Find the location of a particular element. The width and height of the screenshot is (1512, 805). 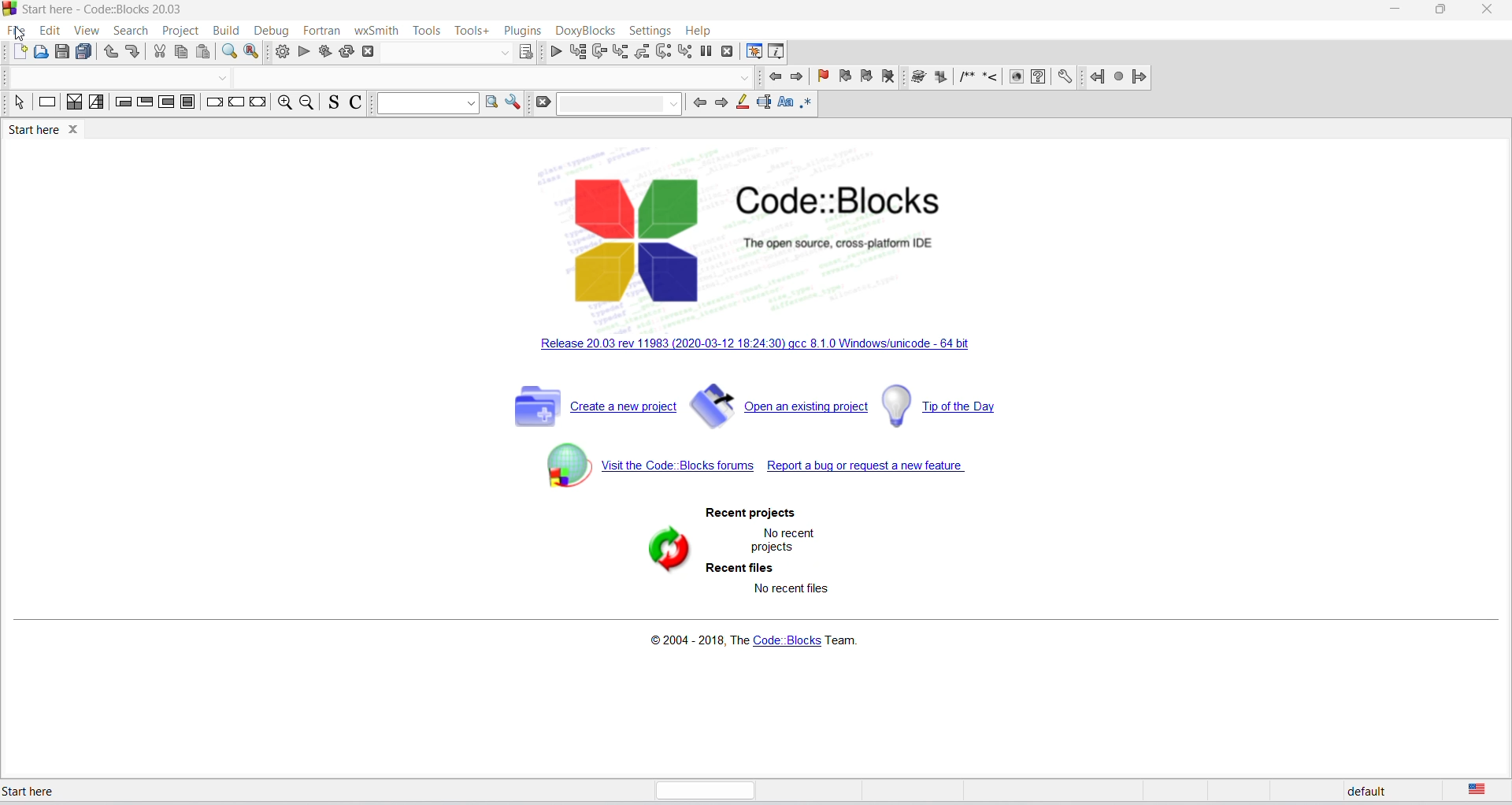

plugins is located at coordinates (519, 28).